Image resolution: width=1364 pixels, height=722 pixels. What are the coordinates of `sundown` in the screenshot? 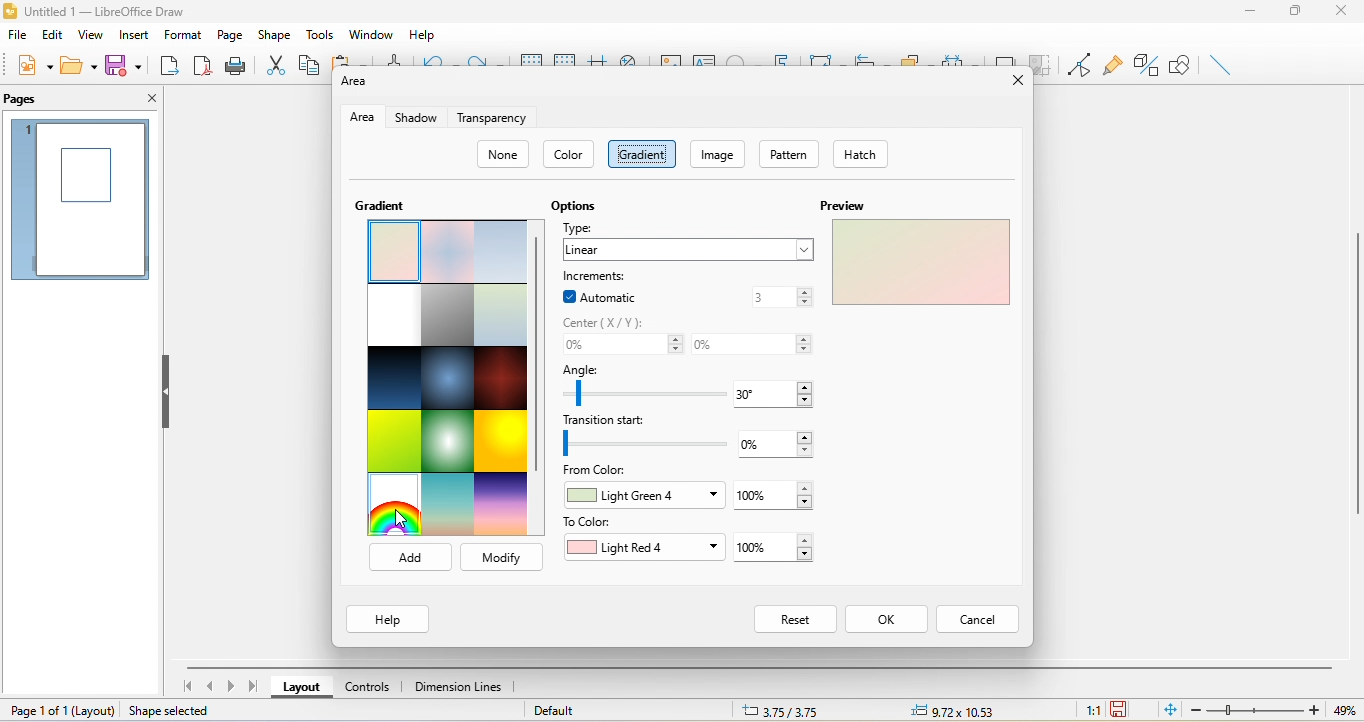 It's located at (500, 504).